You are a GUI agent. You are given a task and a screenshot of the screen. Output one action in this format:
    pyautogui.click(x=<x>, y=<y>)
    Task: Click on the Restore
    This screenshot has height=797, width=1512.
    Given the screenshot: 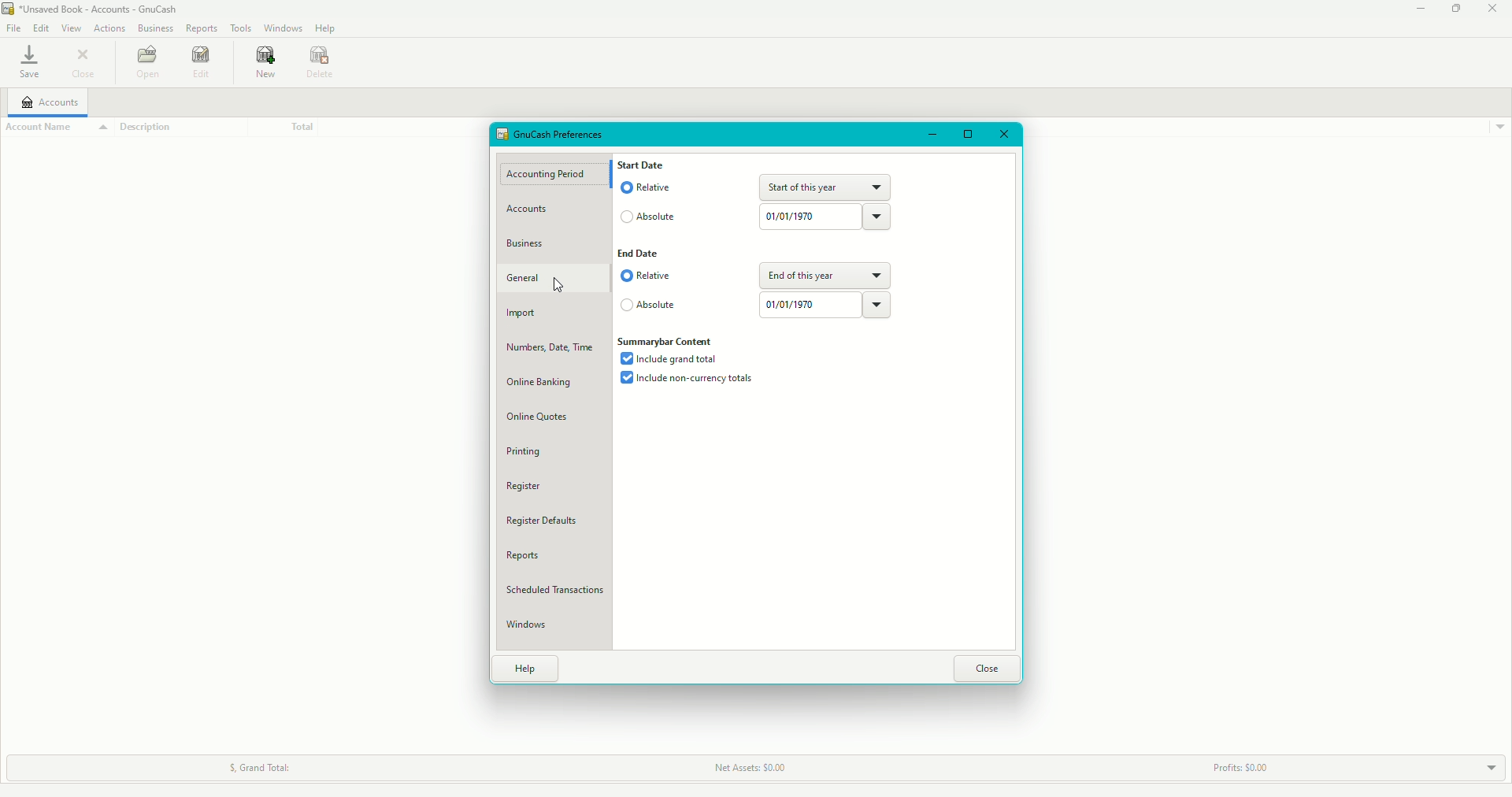 What is the action you would take?
    pyautogui.click(x=1455, y=9)
    